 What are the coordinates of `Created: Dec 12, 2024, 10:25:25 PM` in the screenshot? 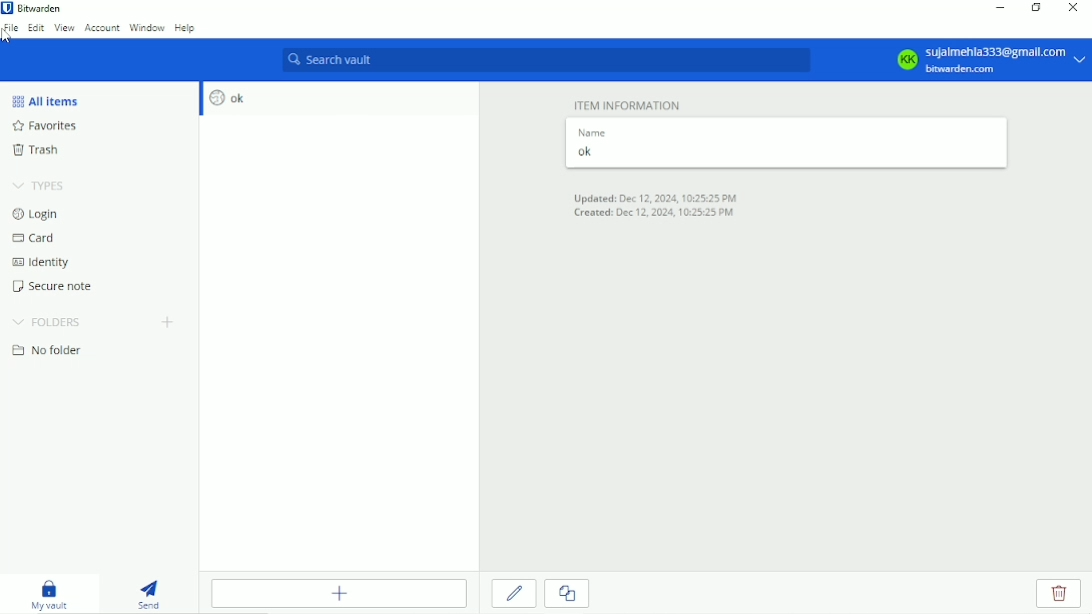 It's located at (653, 214).